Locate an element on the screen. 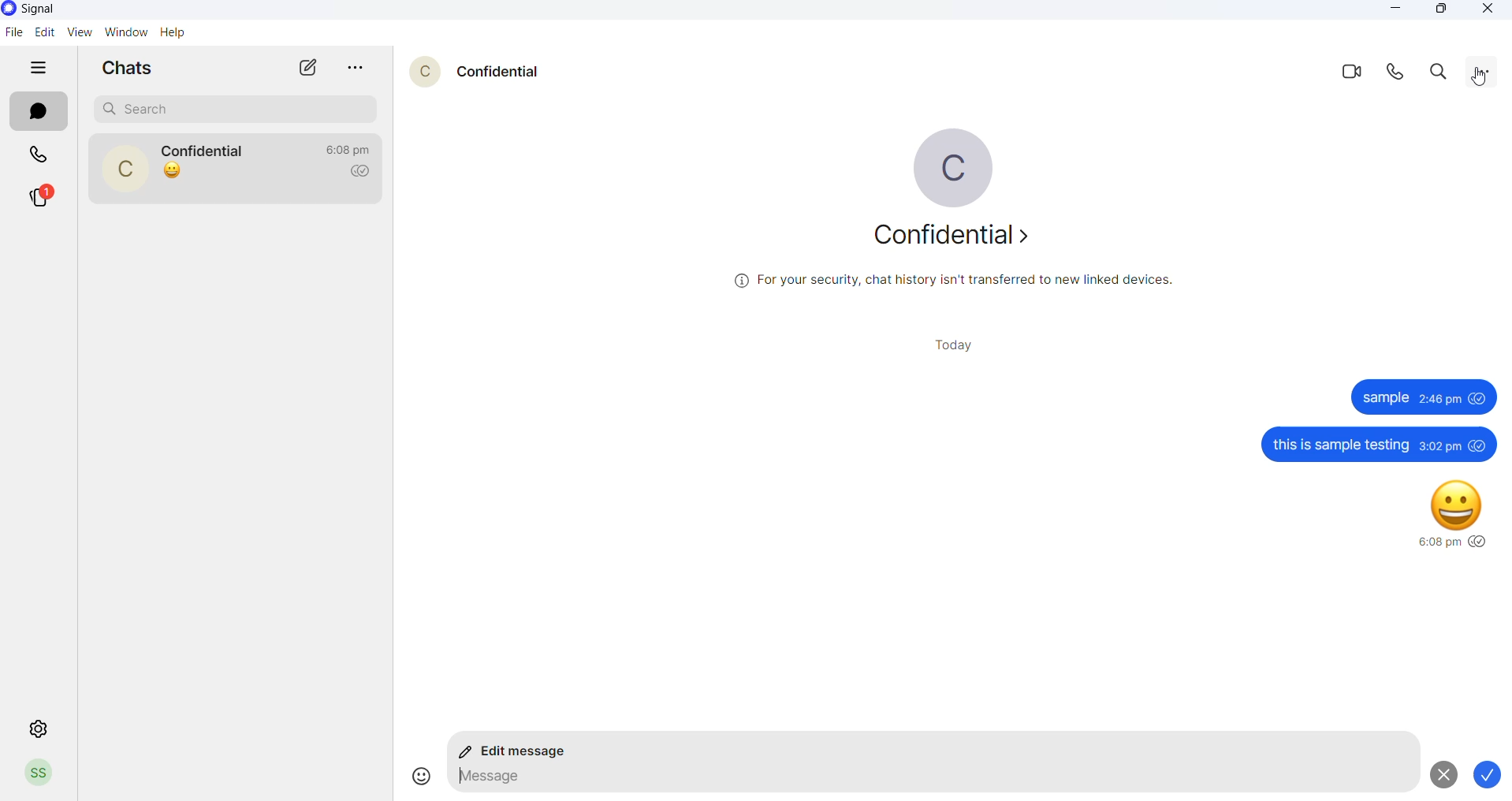 Image resolution: width=1512 pixels, height=801 pixels. profile picture is located at coordinates (942, 170).